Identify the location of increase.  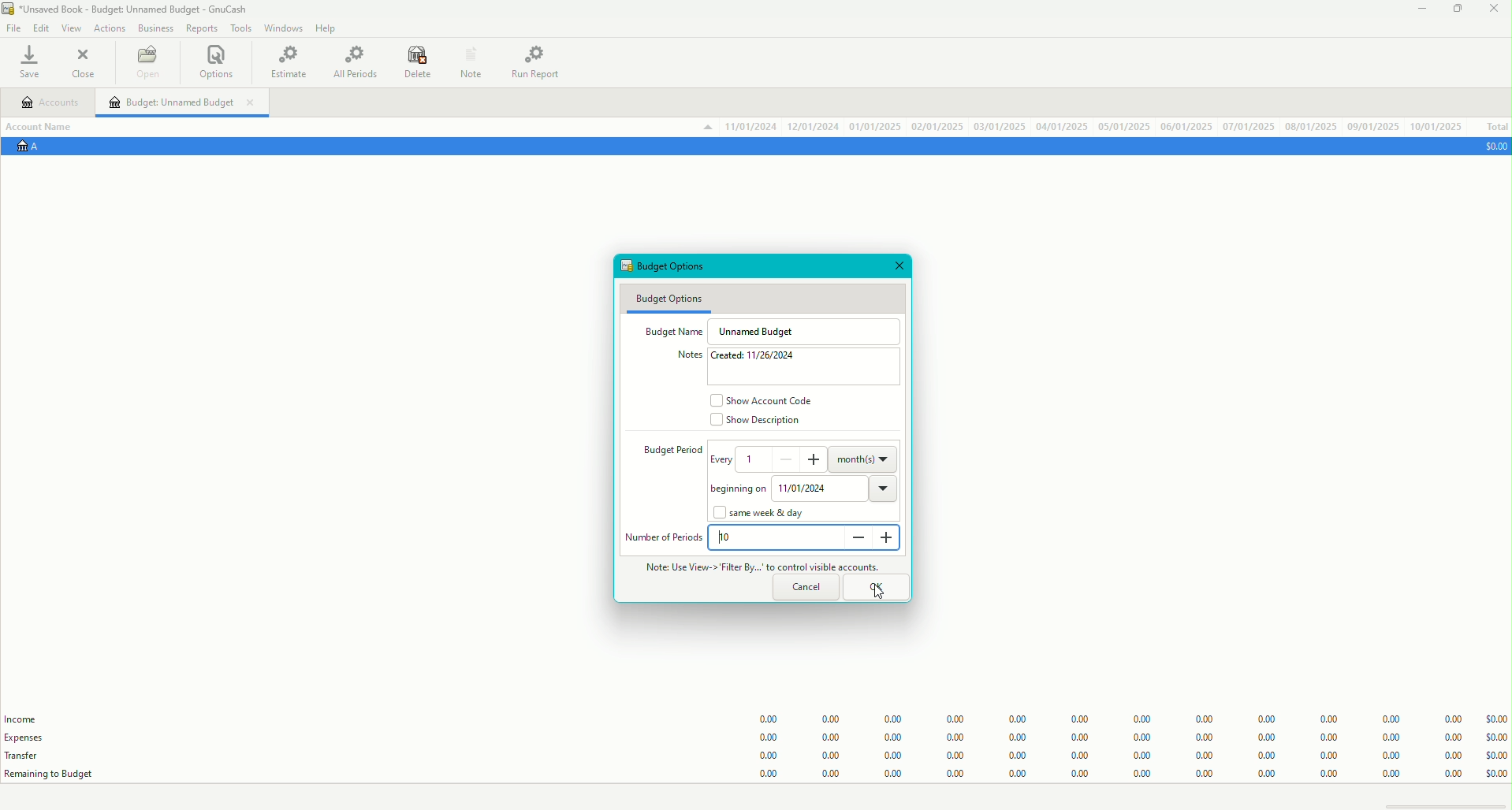
(890, 544).